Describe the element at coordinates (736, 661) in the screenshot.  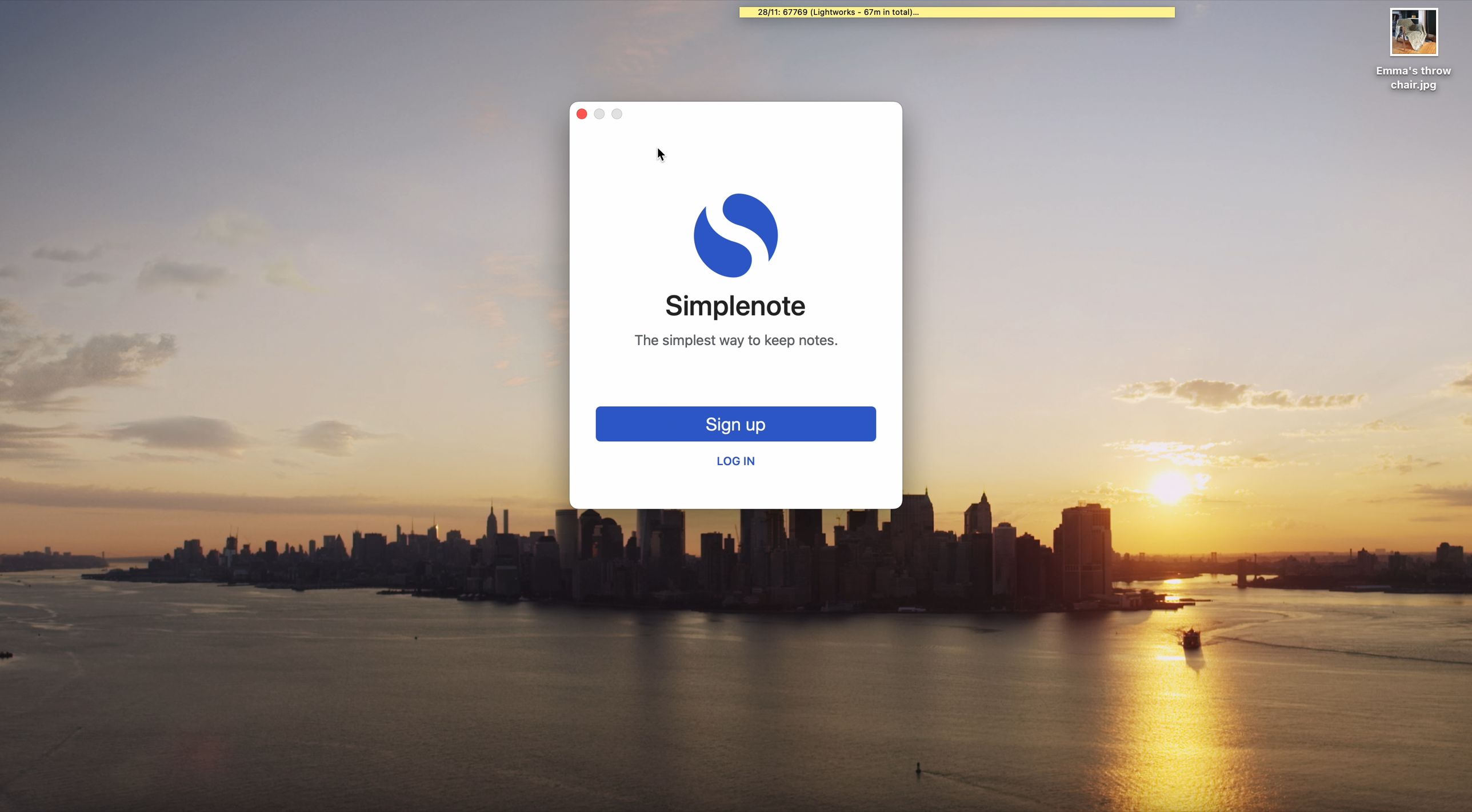
I see `background` at that location.